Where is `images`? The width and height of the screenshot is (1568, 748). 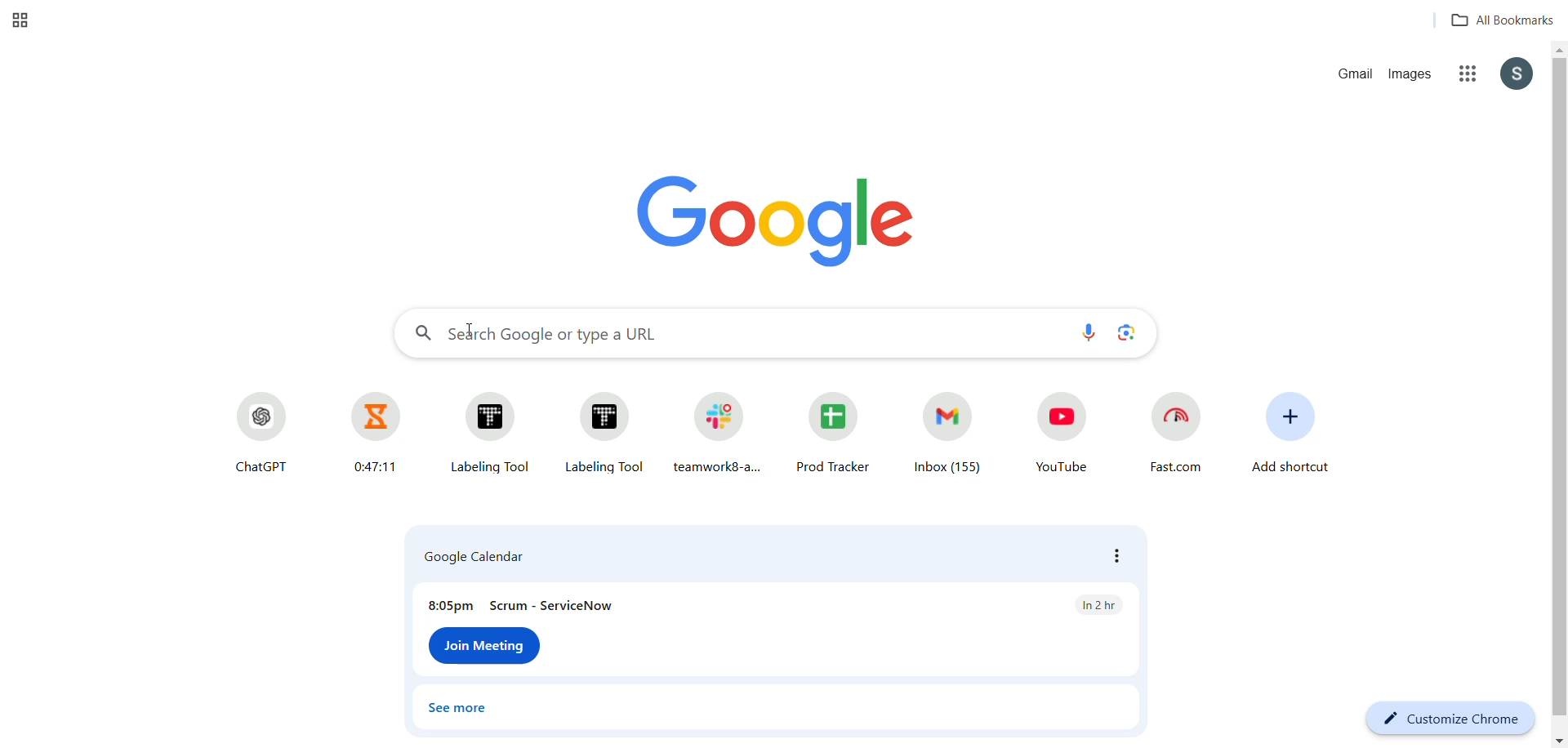 images is located at coordinates (1414, 75).